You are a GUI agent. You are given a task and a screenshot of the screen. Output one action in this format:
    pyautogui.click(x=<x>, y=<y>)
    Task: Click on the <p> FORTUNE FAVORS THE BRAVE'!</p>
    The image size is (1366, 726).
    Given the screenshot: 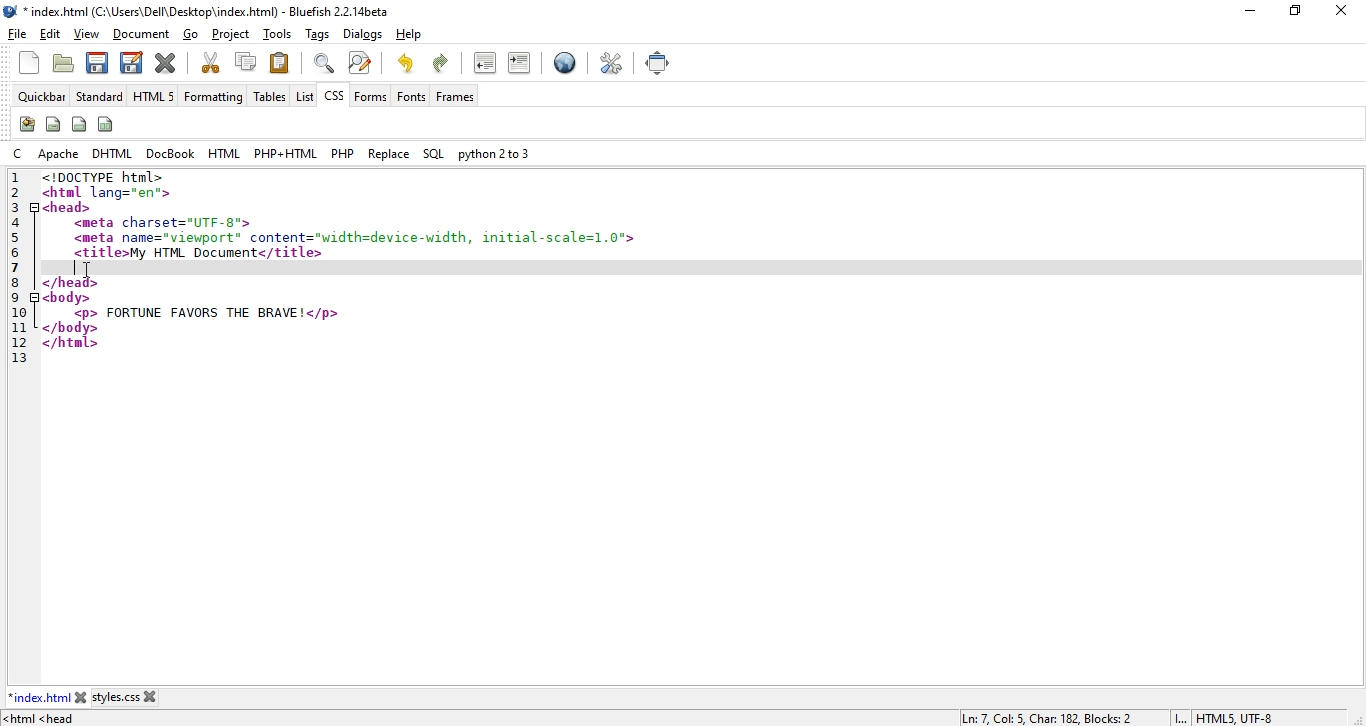 What is the action you would take?
    pyautogui.click(x=205, y=313)
    